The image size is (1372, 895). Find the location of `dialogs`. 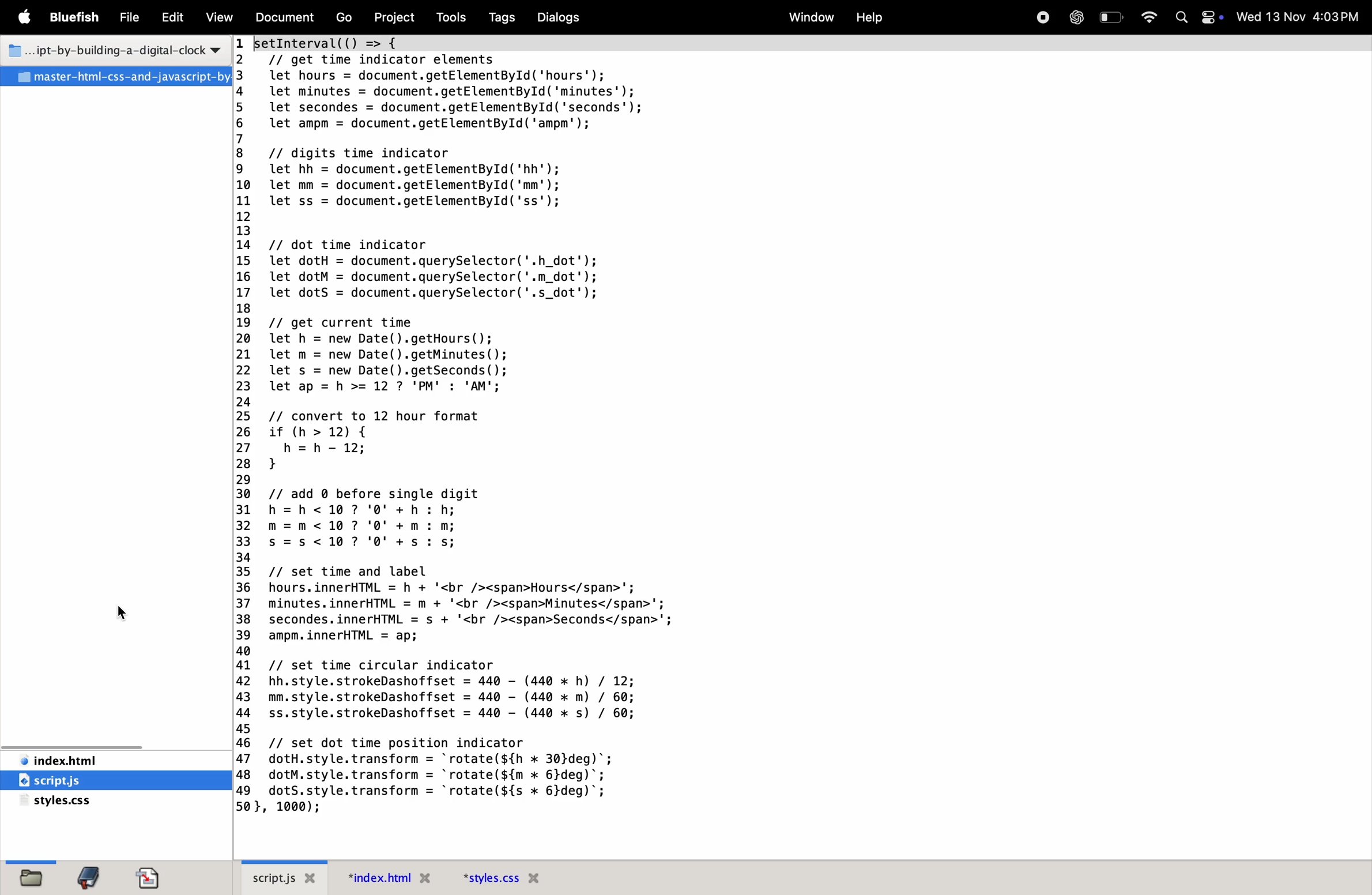

dialogs is located at coordinates (557, 17).